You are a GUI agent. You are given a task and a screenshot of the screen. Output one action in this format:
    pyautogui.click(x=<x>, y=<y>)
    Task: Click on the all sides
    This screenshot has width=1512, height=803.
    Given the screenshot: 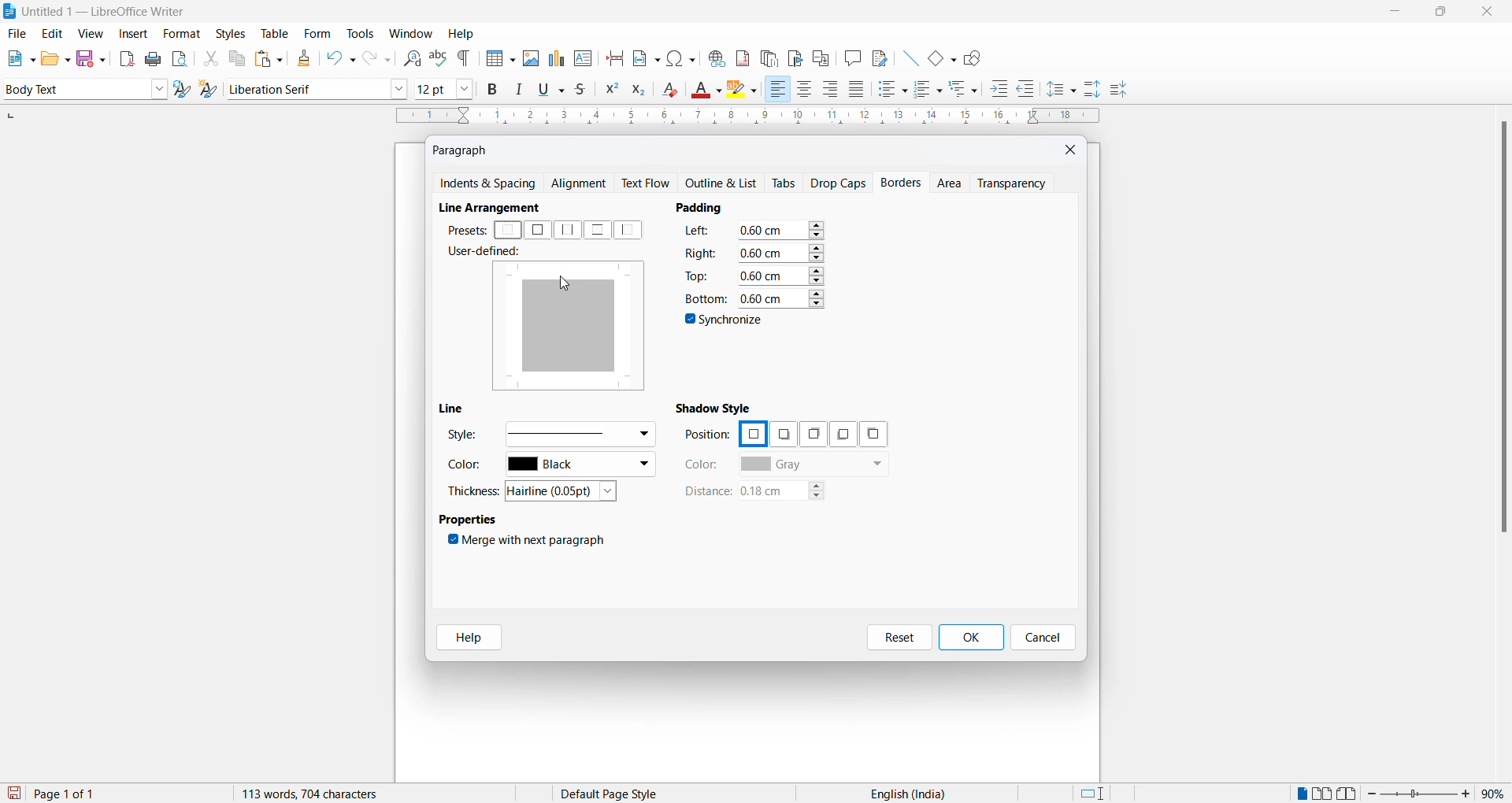 What is the action you would take?
    pyautogui.click(x=537, y=230)
    